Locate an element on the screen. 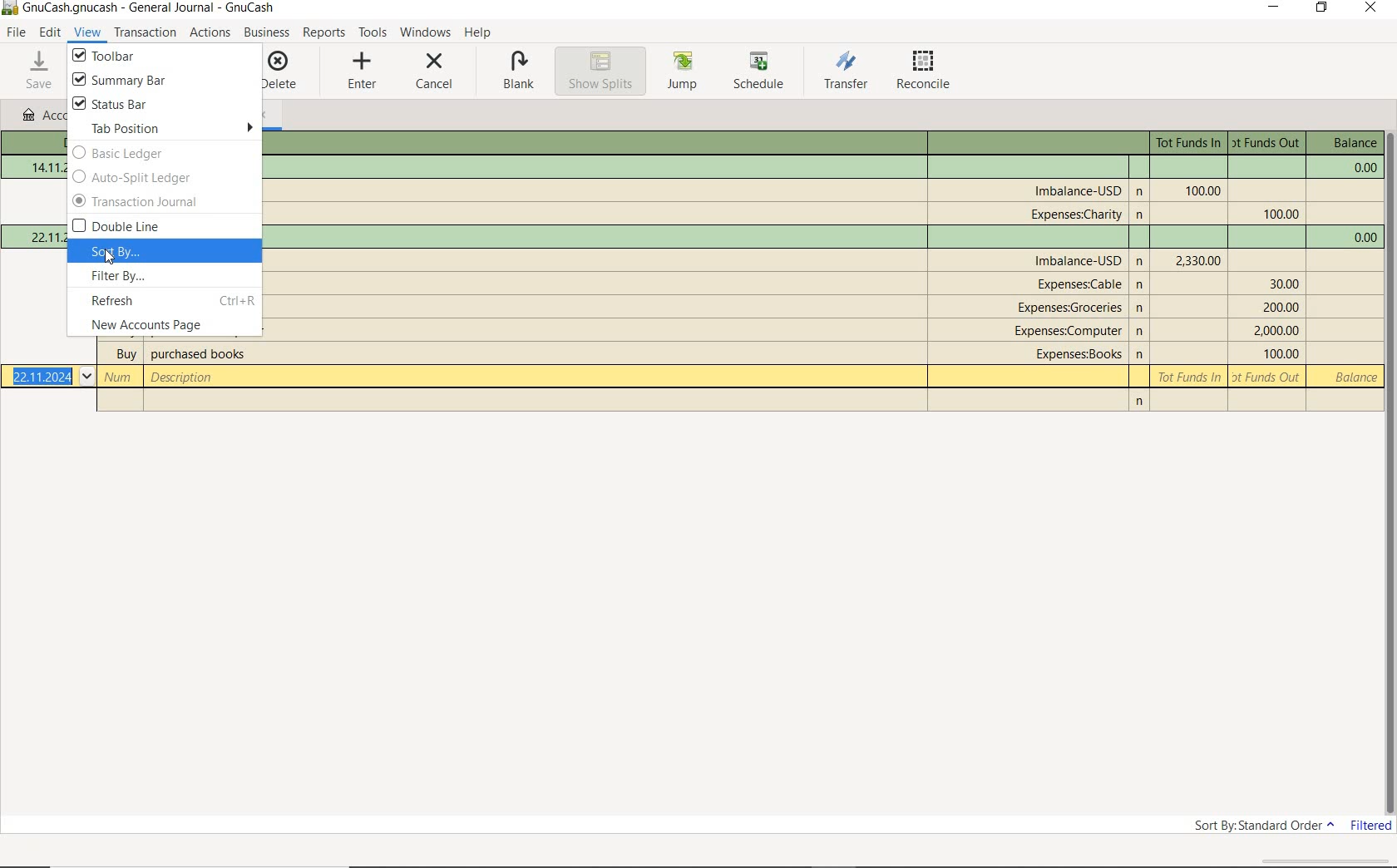 Image resolution: width=1397 pixels, height=868 pixels. Tot Funds Out is located at coordinates (1281, 308).